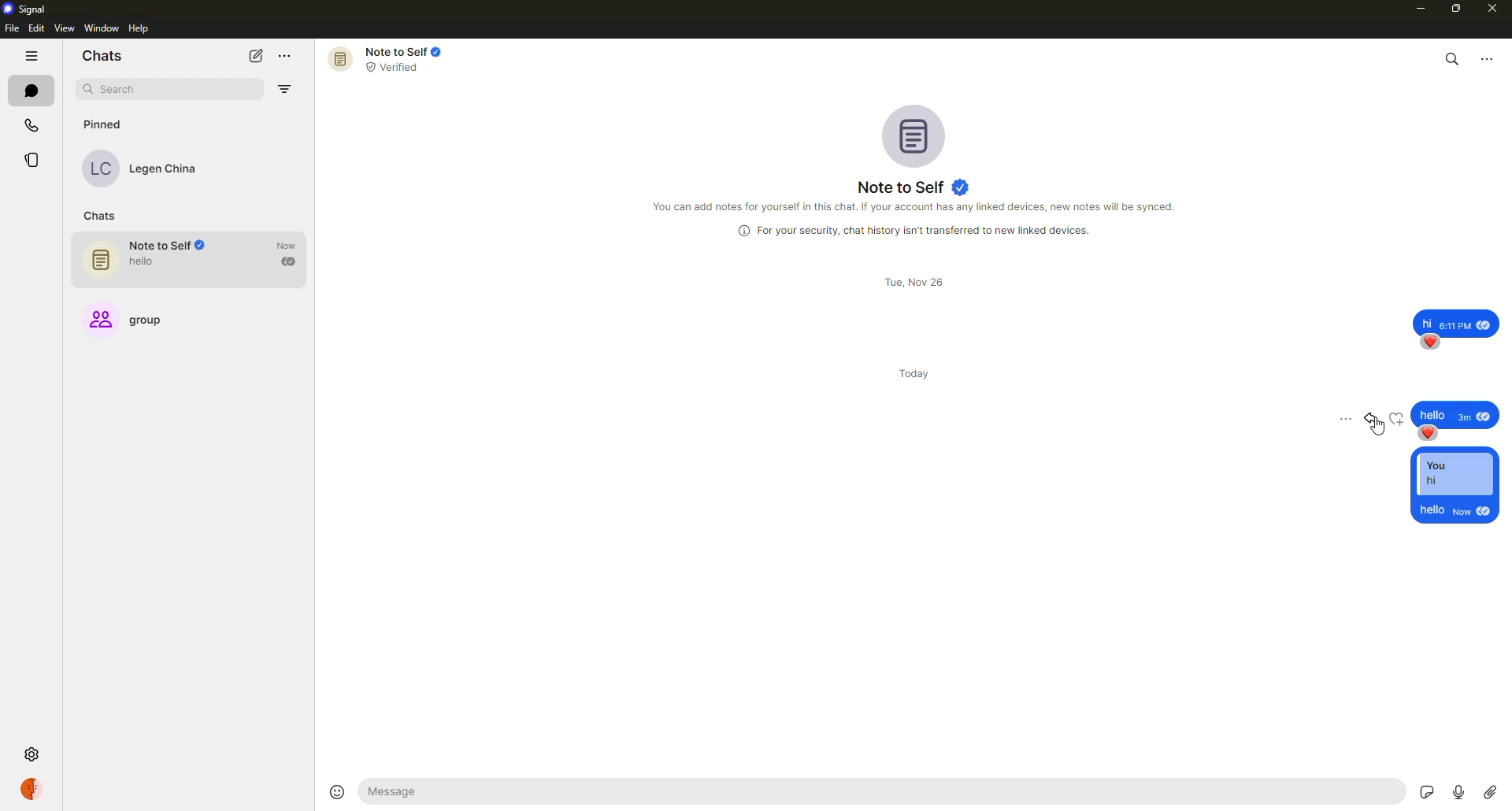 The width and height of the screenshot is (1512, 811). I want to click on view, so click(62, 28).